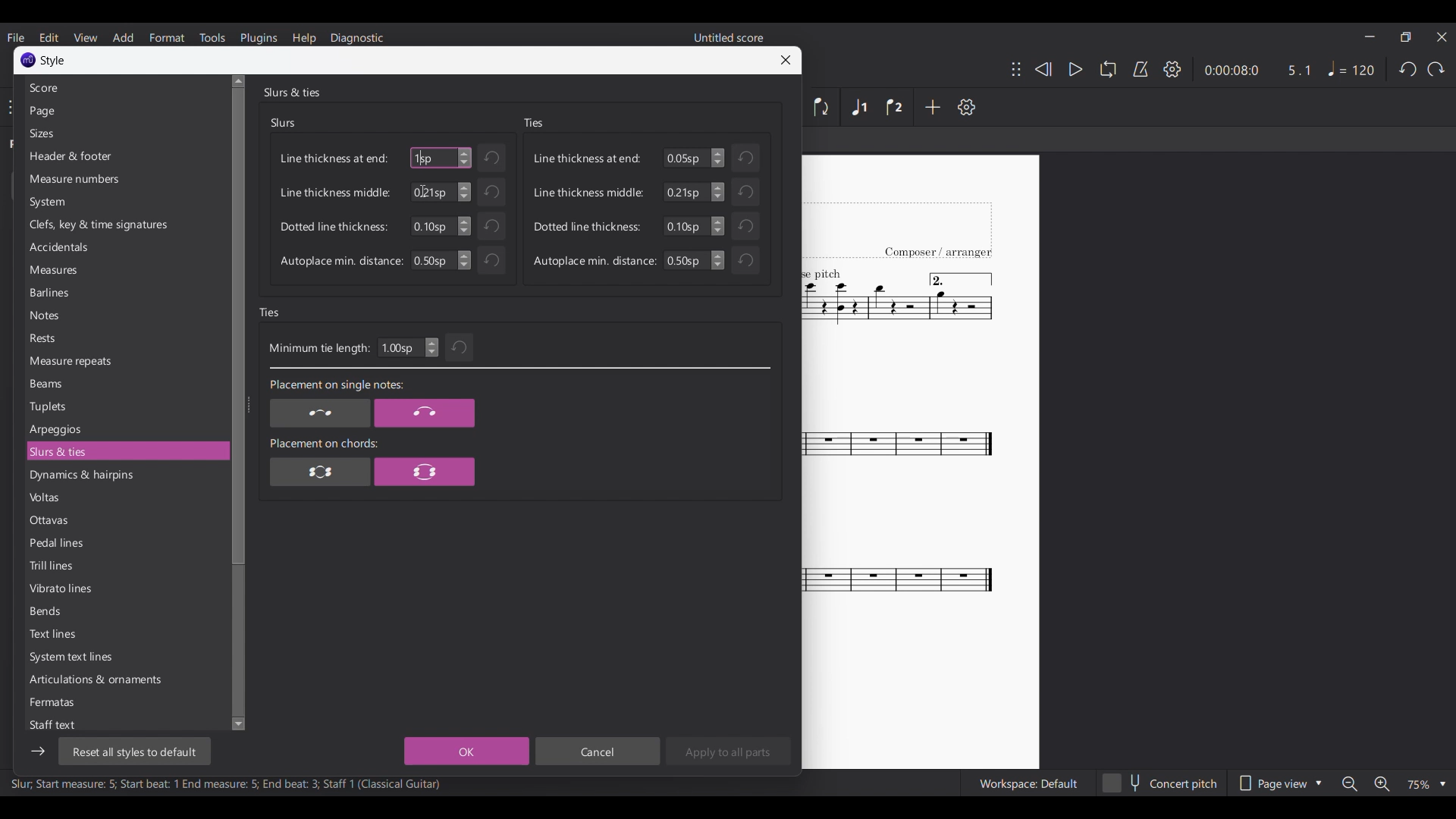 The height and width of the screenshot is (819, 1456). Describe the element at coordinates (125, 179) in the screenshot. I see `Measure numbers` at that location.